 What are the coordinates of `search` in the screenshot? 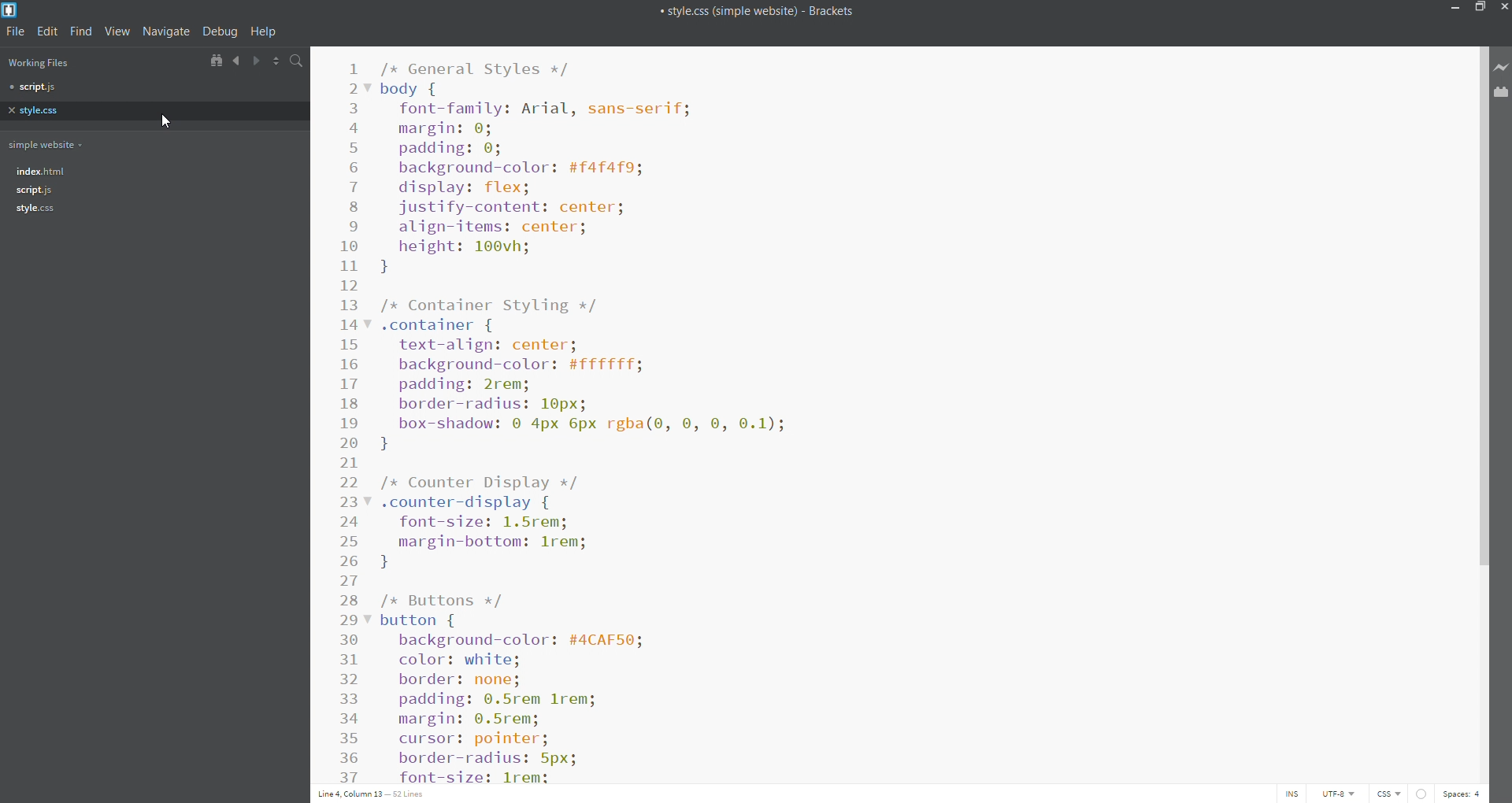 It's located at (299, 62).